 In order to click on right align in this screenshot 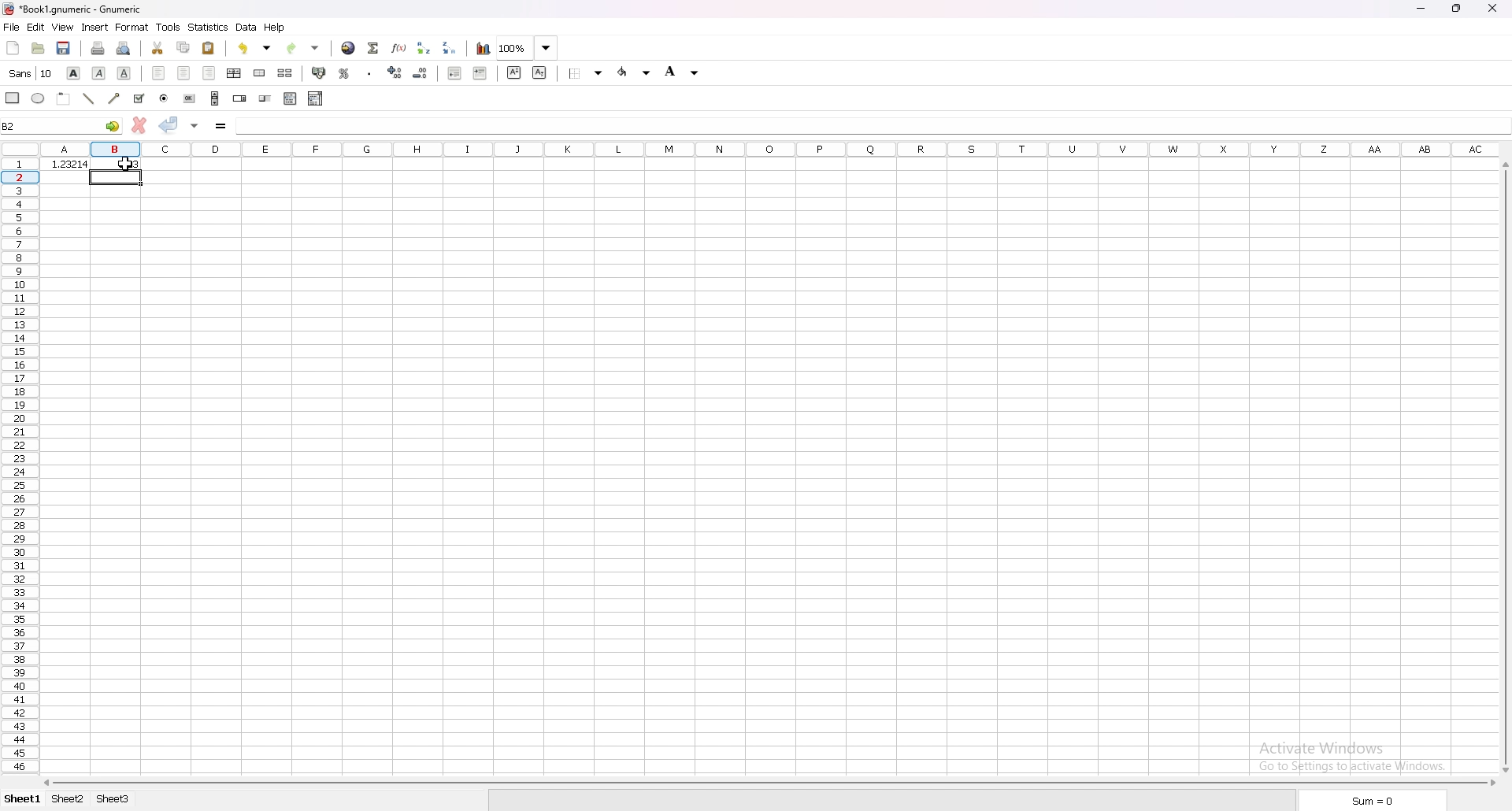, I will do `click(209, 73)`.